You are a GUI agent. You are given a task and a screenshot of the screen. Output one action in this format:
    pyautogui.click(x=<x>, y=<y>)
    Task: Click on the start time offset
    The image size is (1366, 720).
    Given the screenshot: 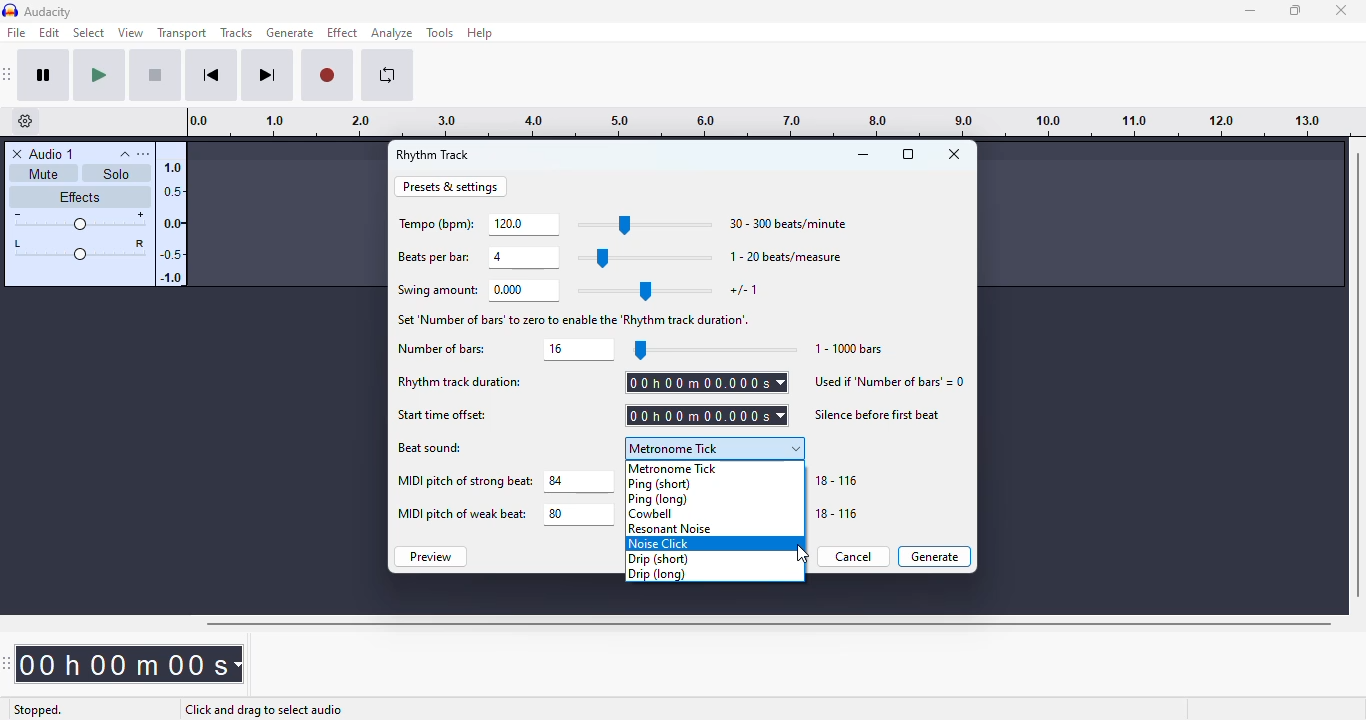 What is the action you would take?
    pyautogui.click(x=442, y=416)
    